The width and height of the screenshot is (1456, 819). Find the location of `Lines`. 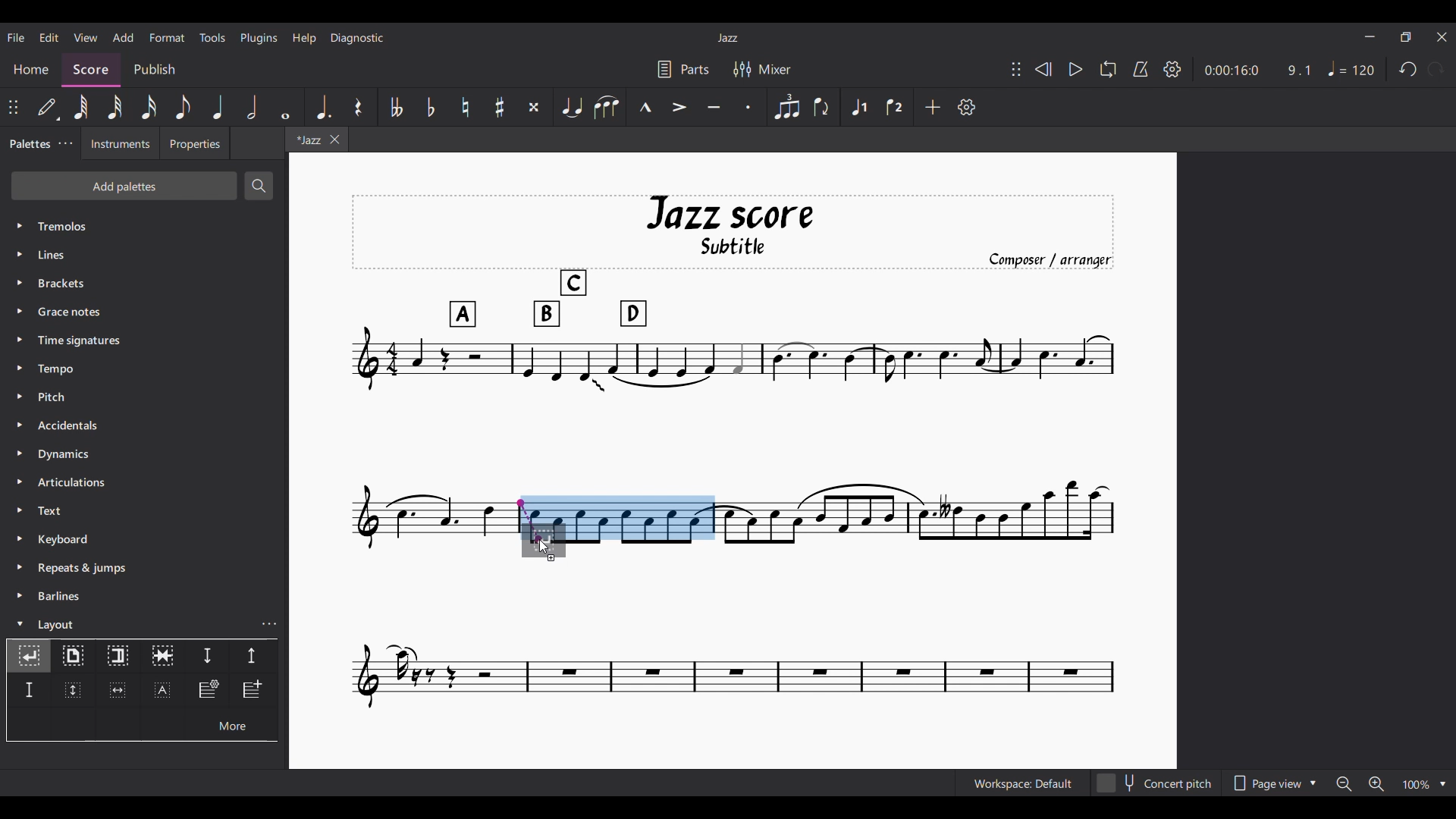

Lines is located at coordinates (143, 255).